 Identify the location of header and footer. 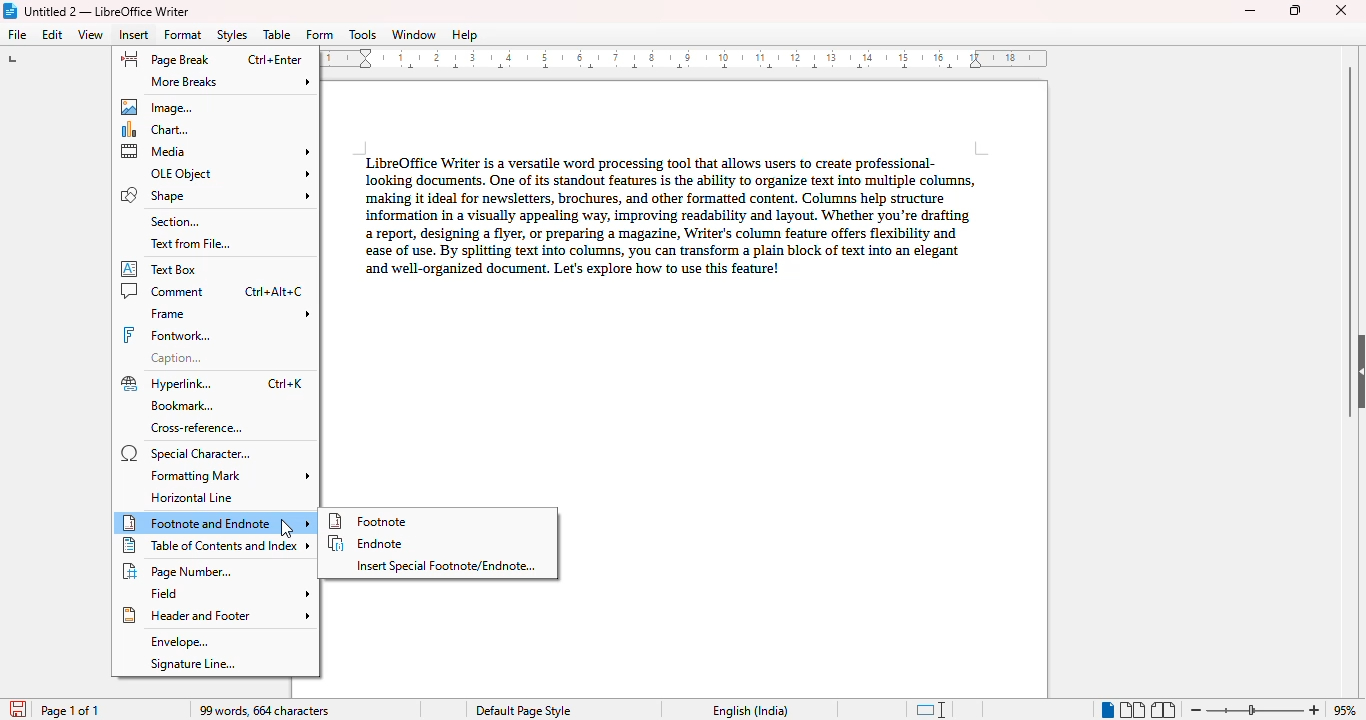
(215, 615).